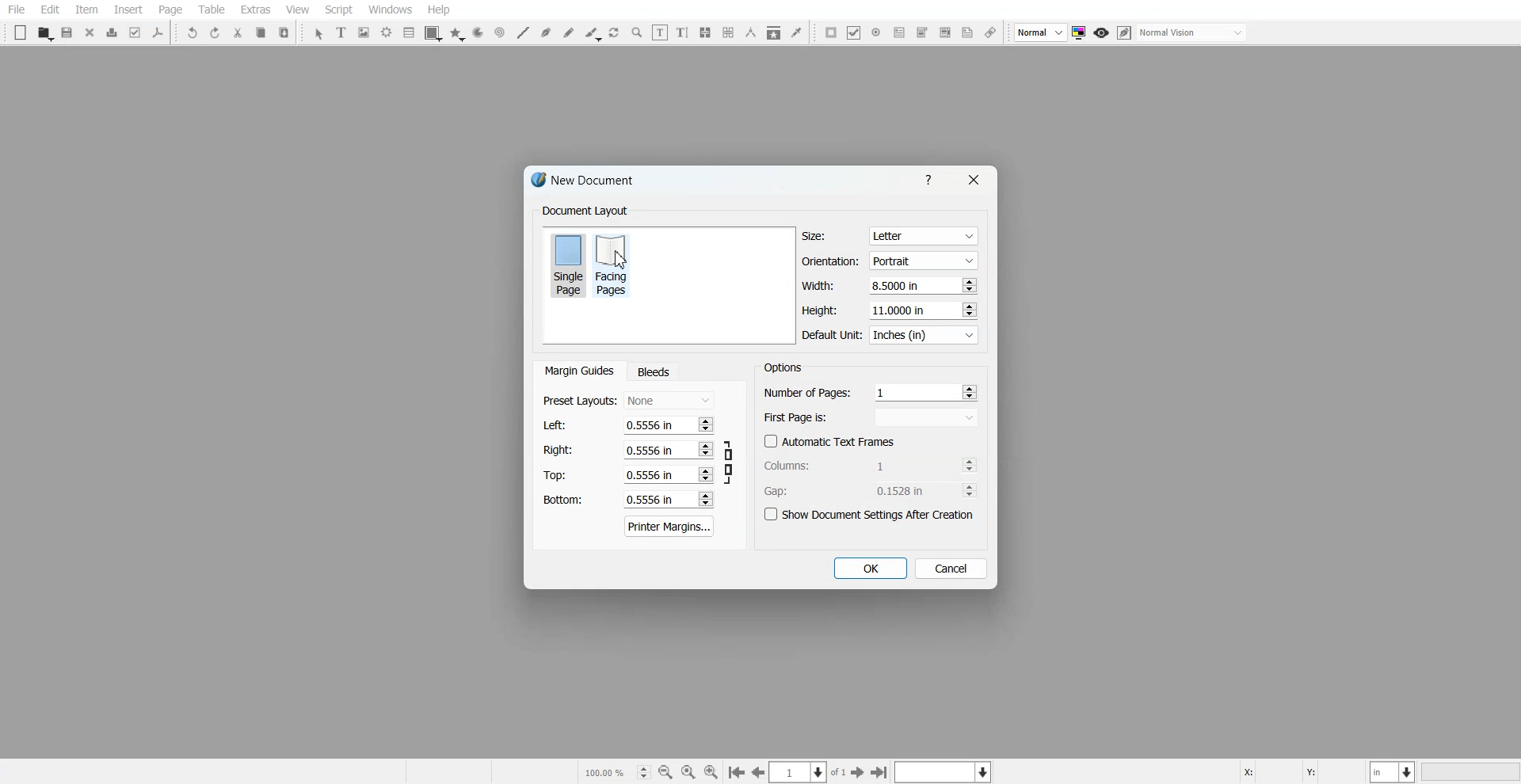 This screenshot has height=784, width=1521. What do you see at coordinates (620, 259) in the screenshot?
I see `Cursor` at bounding box center [620, 259].